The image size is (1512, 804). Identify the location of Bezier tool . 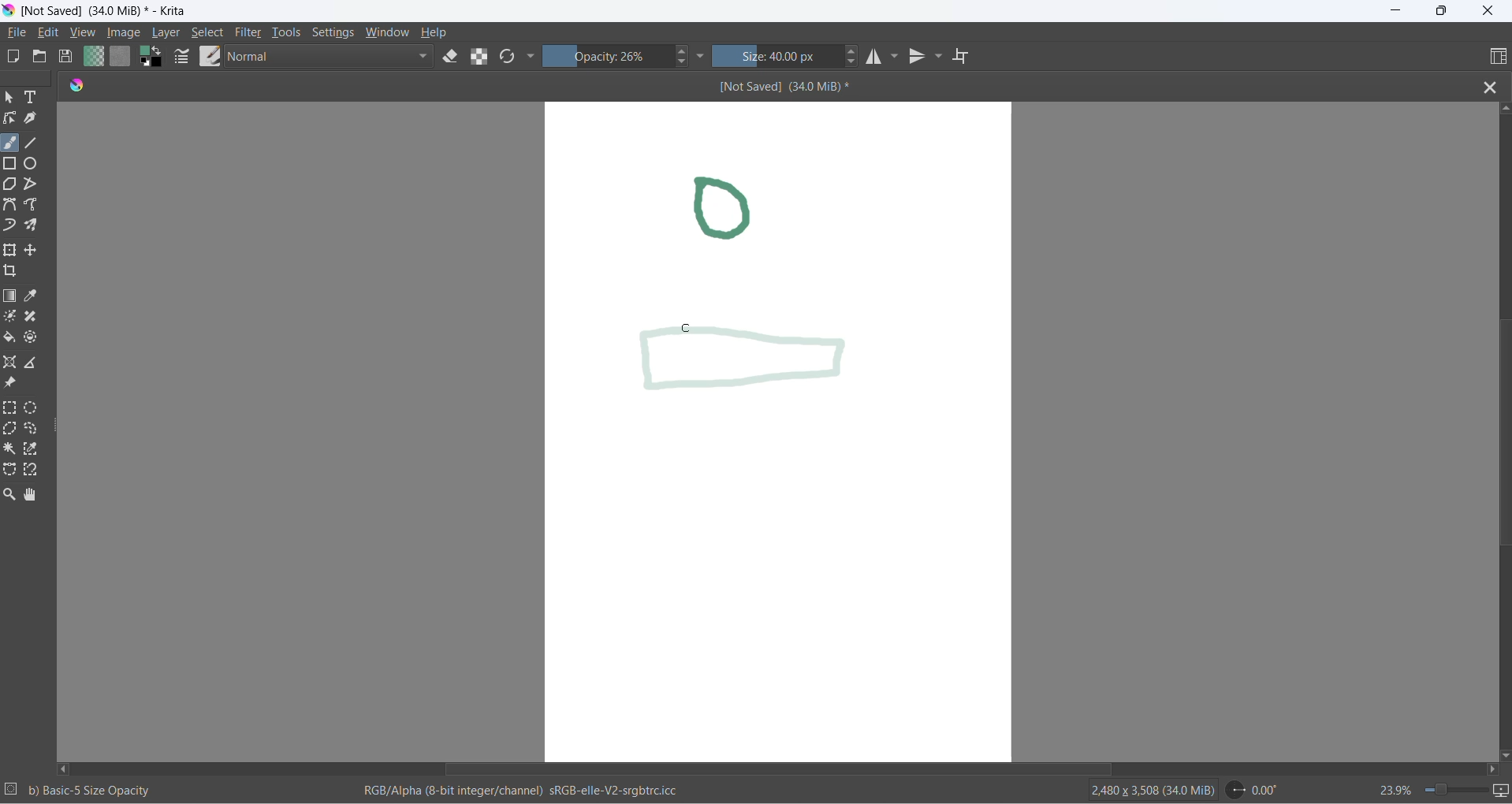
(10, 206).